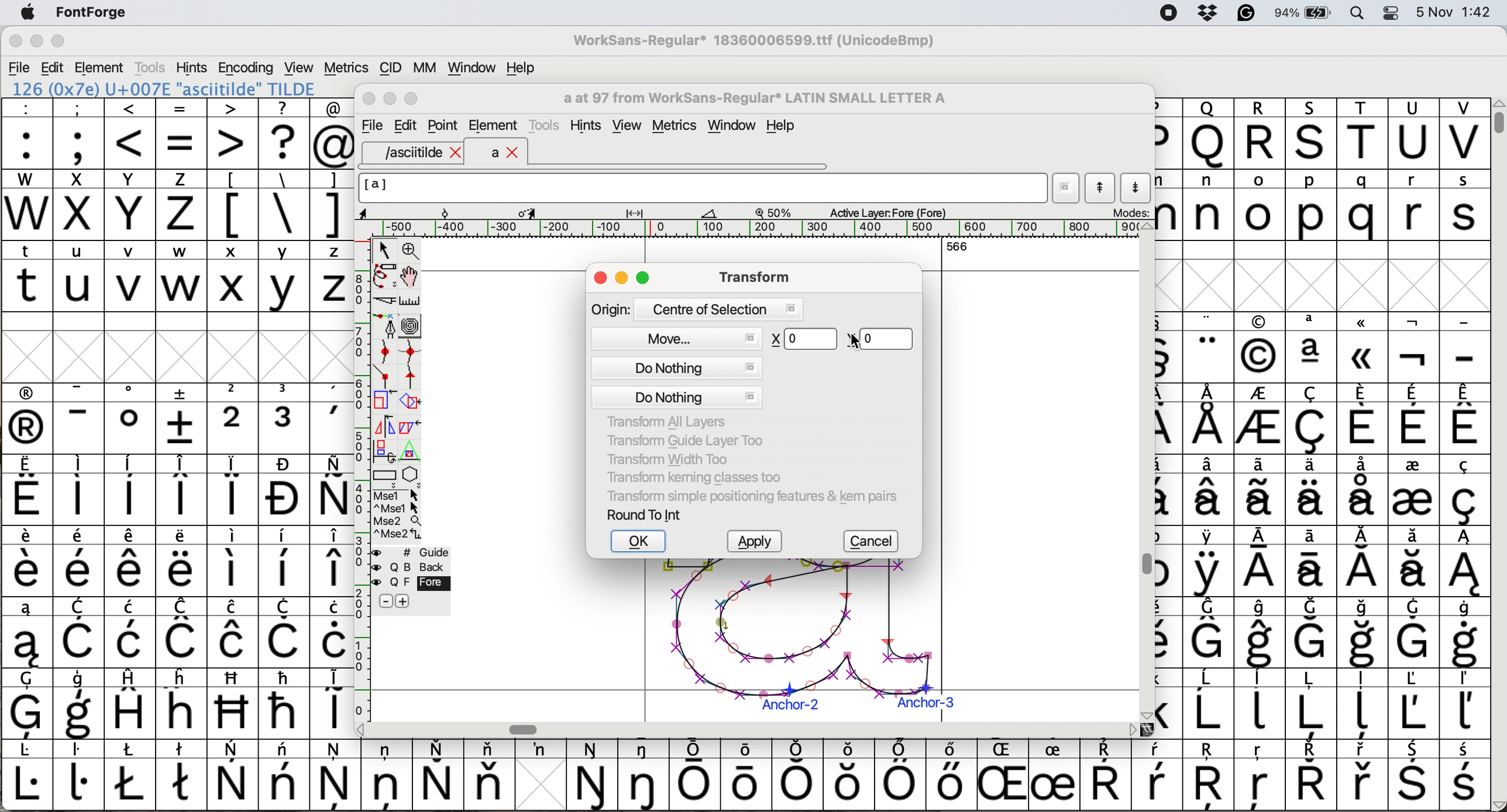 The image size is (1507, 812). Describe the element at coordinates (949, 774) in the screenshot. I see `symbol` at that location.